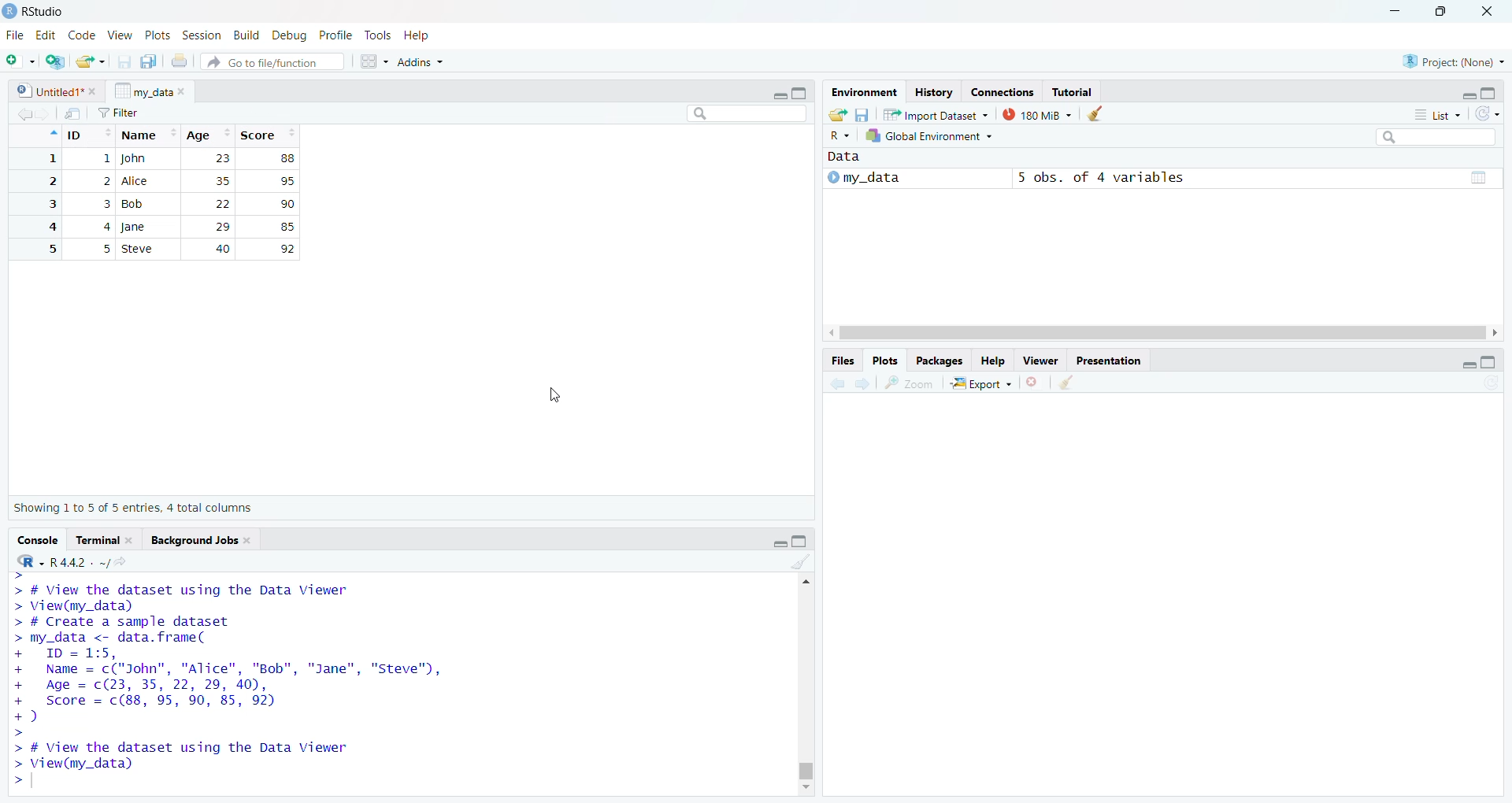 The image size is (1512, 803). What do you see at coordinates (556, 394) in the screenshot?
I see `Cursor` at bounding box center [556, 394].